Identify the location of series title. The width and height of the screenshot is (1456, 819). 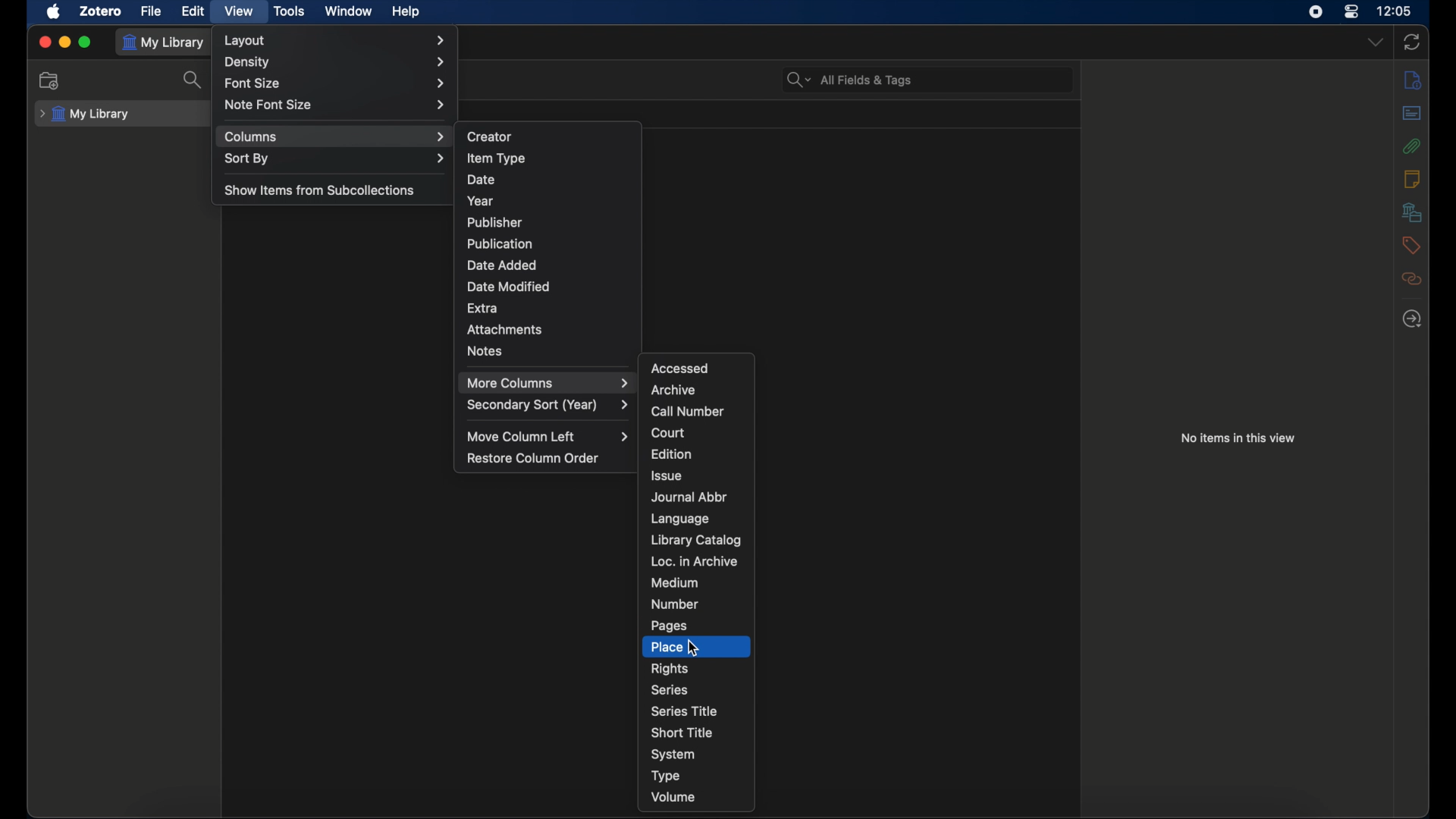
(684, 711).